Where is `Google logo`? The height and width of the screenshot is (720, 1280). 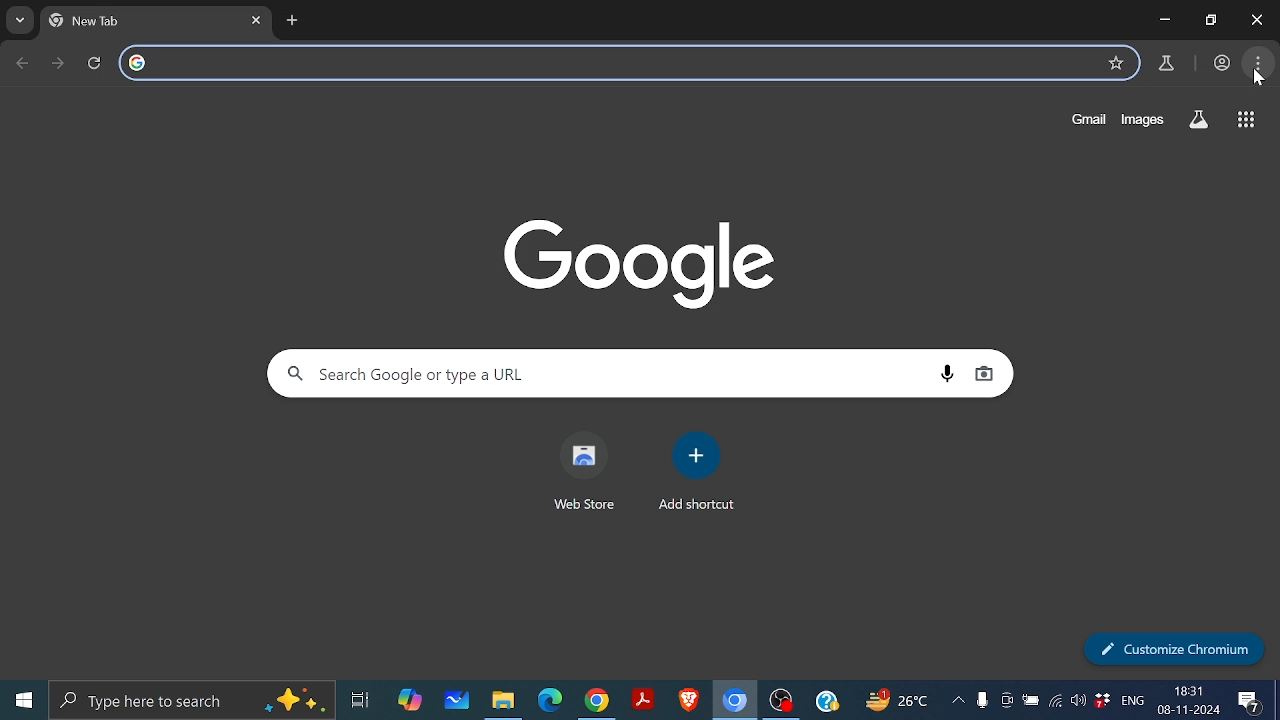
Google logo is located at coordinates (642, 262).